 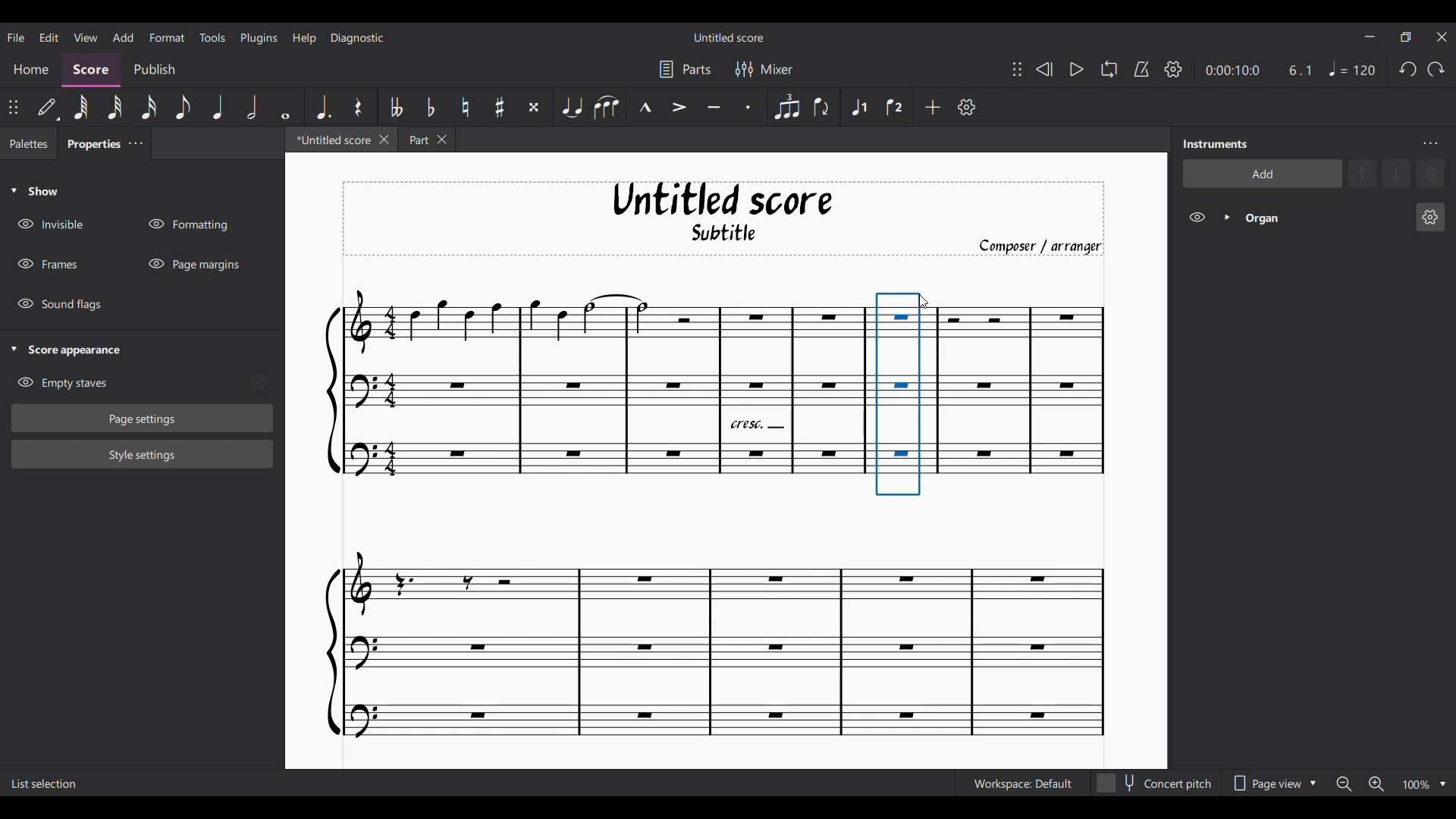 I want to click on Hide Organs on score, so click(x=1197, y=218).